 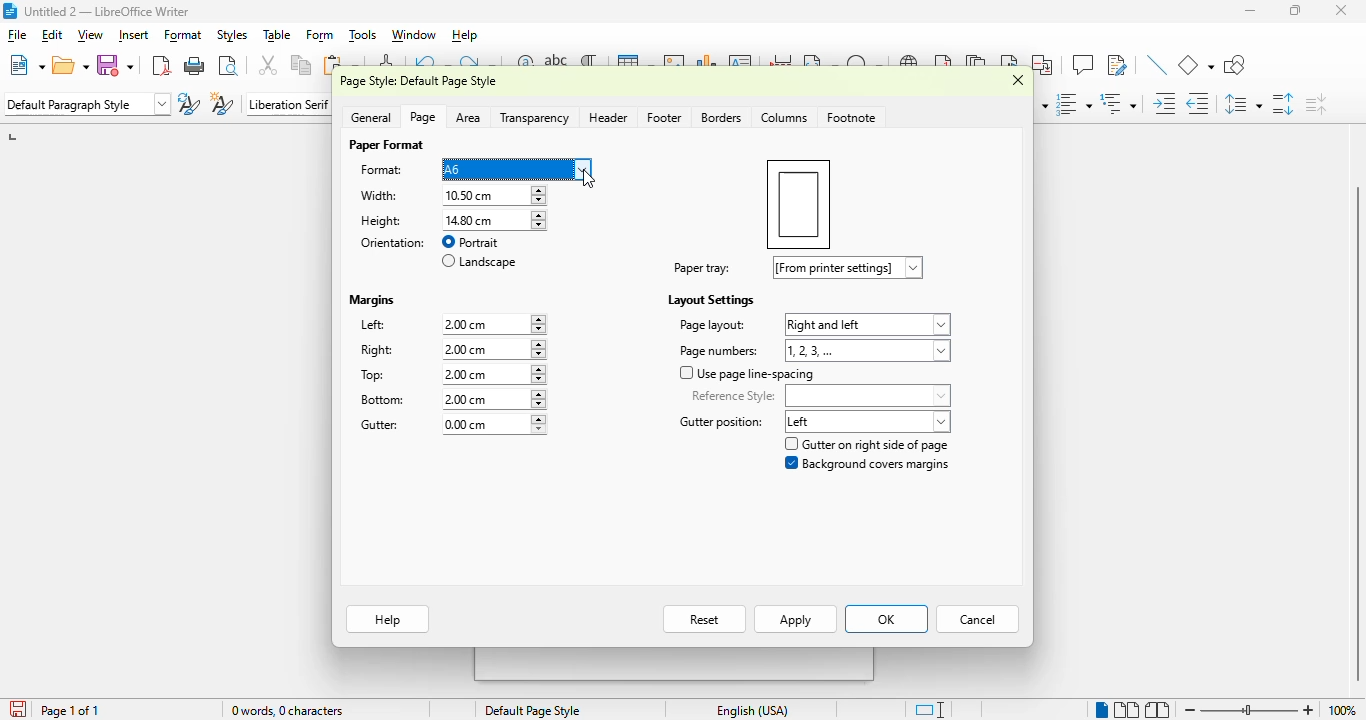 I want to click on decrease indent, so click(x=1200, y=104).